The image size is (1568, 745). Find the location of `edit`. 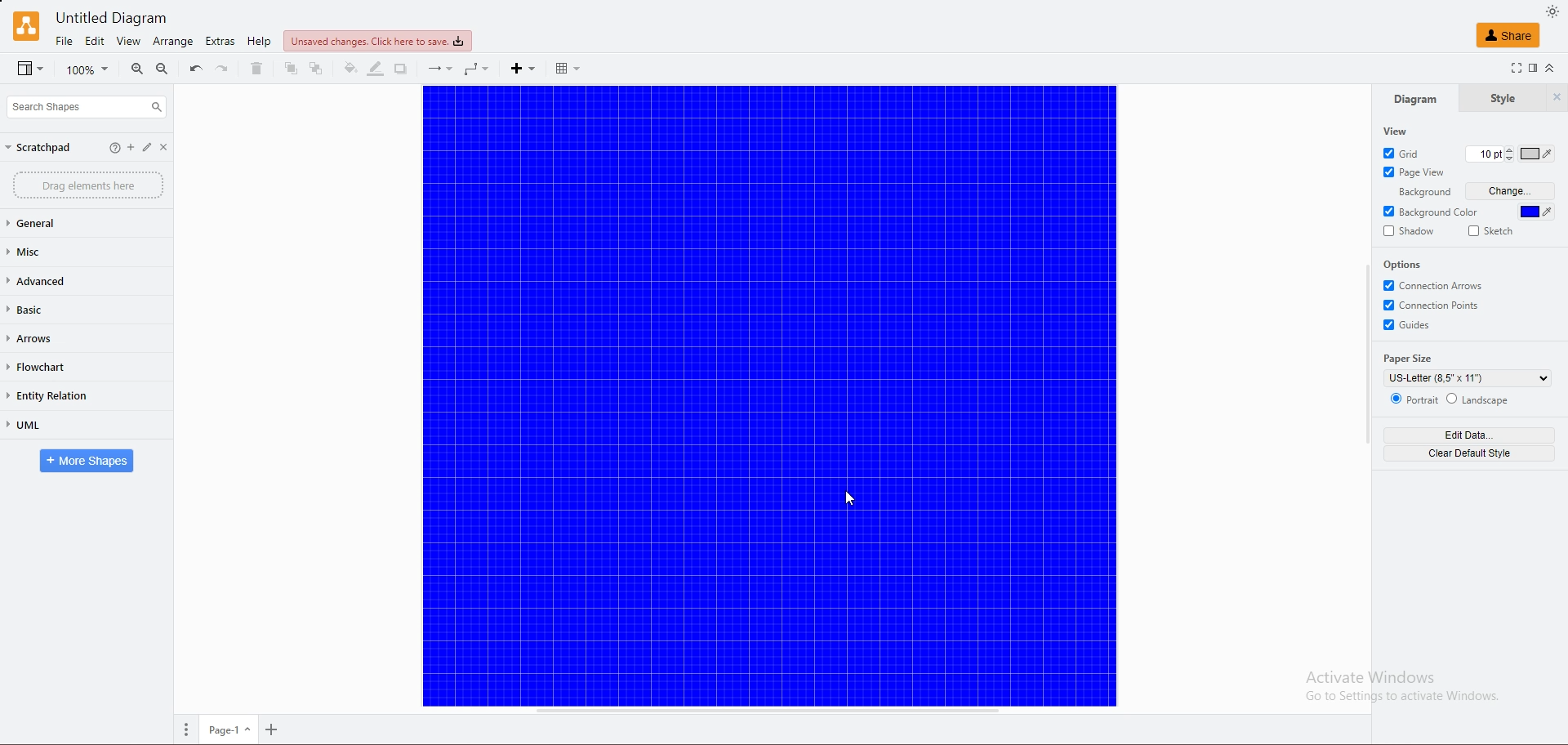

edit is located at coordinates (131, 149).